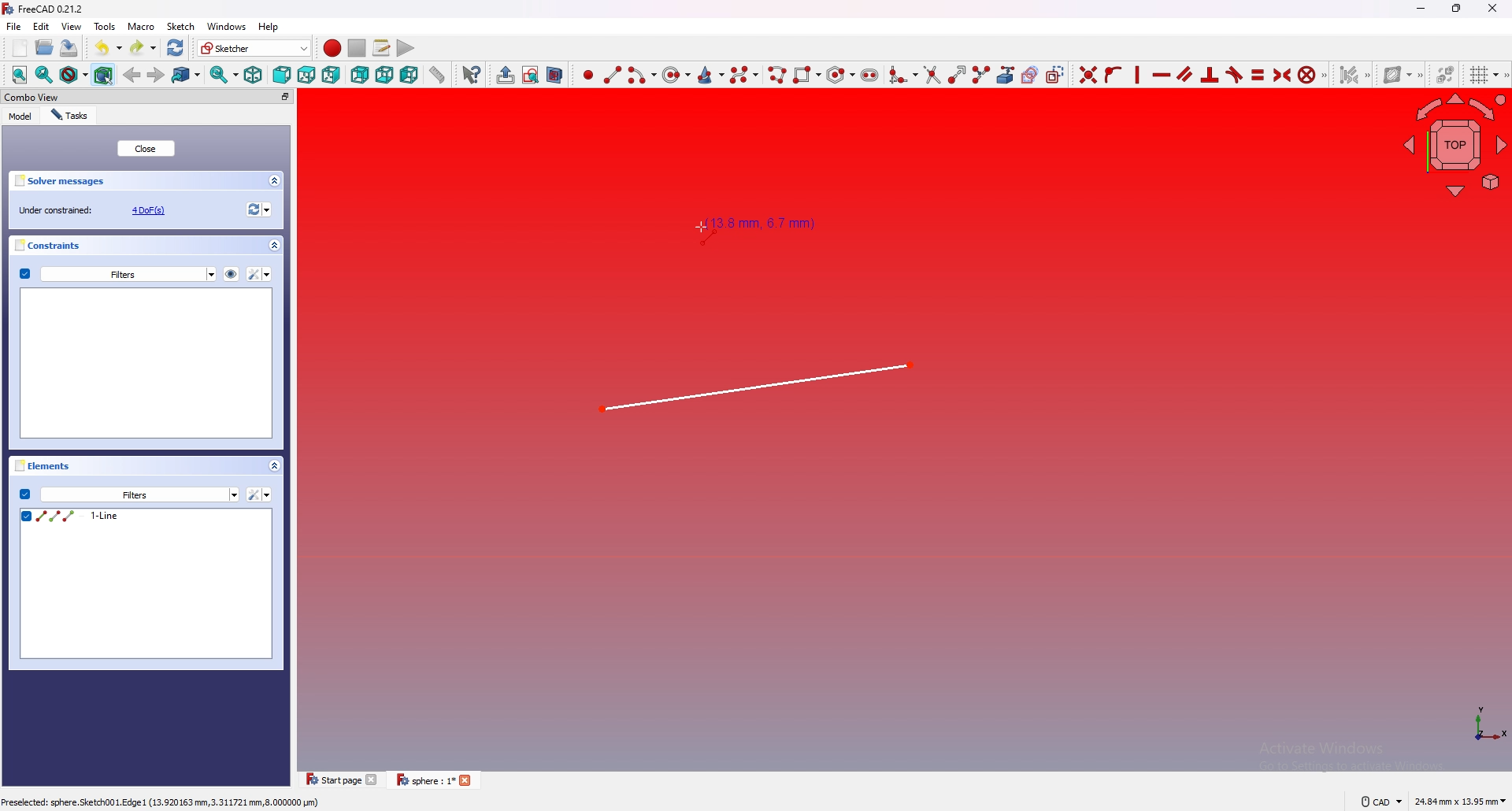  What do you see at coordinates (72, 75) in the screenshot?
I see `Draw style` at bounding box center [72, 75].